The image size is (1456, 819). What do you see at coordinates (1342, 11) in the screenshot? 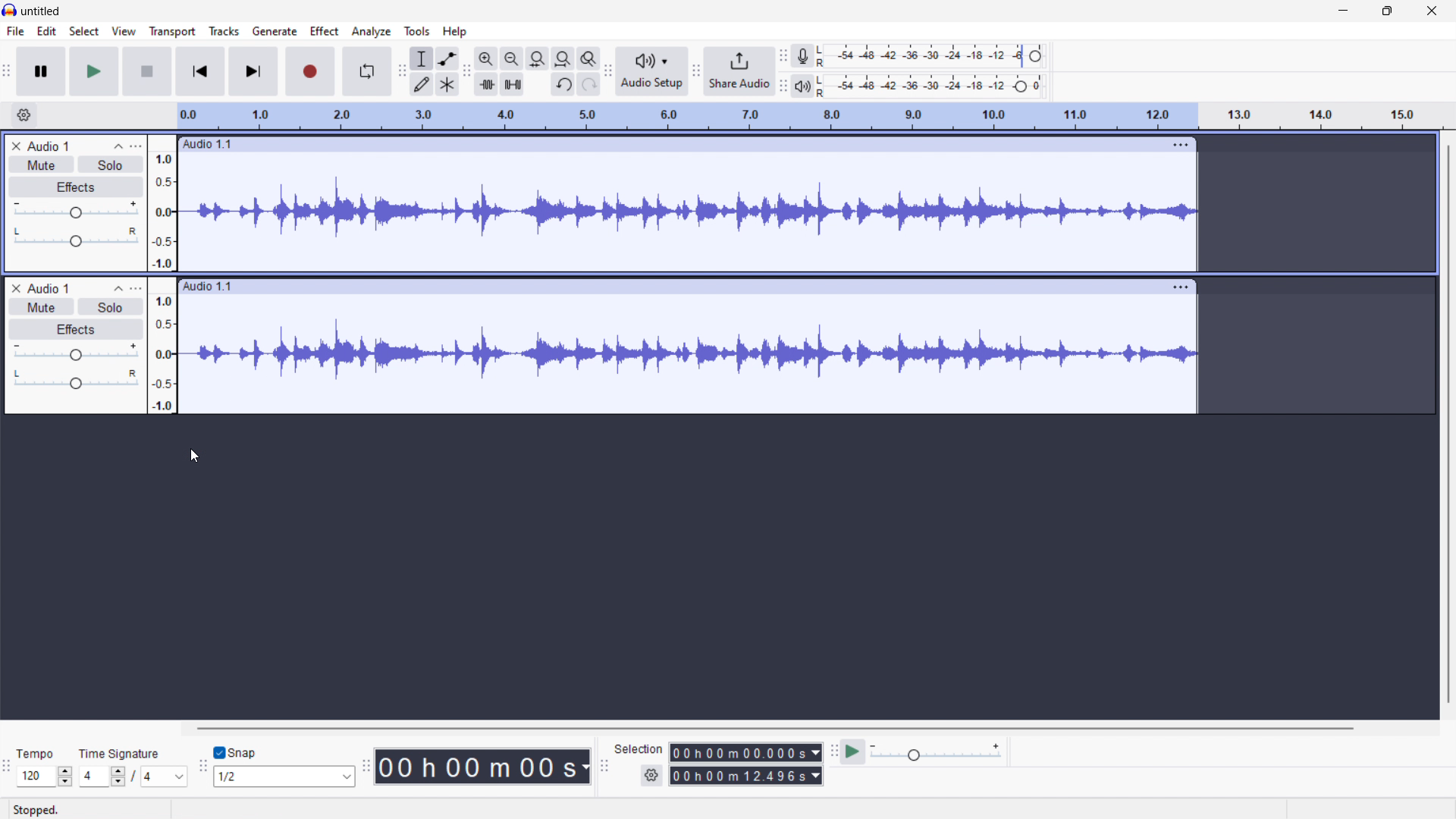
I see `minimize` at bounding box center [1342, 11].